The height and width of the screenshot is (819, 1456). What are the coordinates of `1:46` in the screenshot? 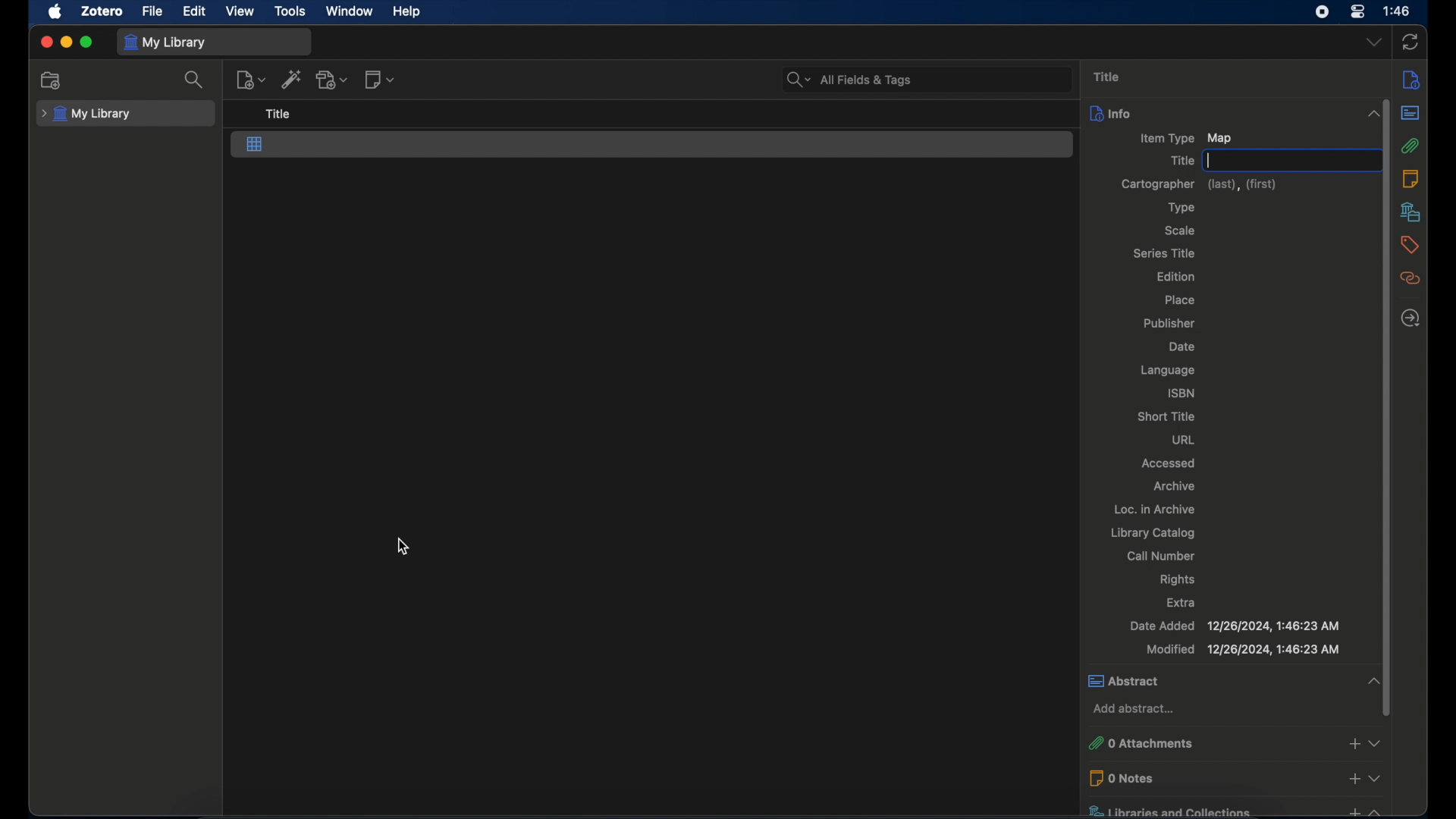 It's located at (1398, 11).